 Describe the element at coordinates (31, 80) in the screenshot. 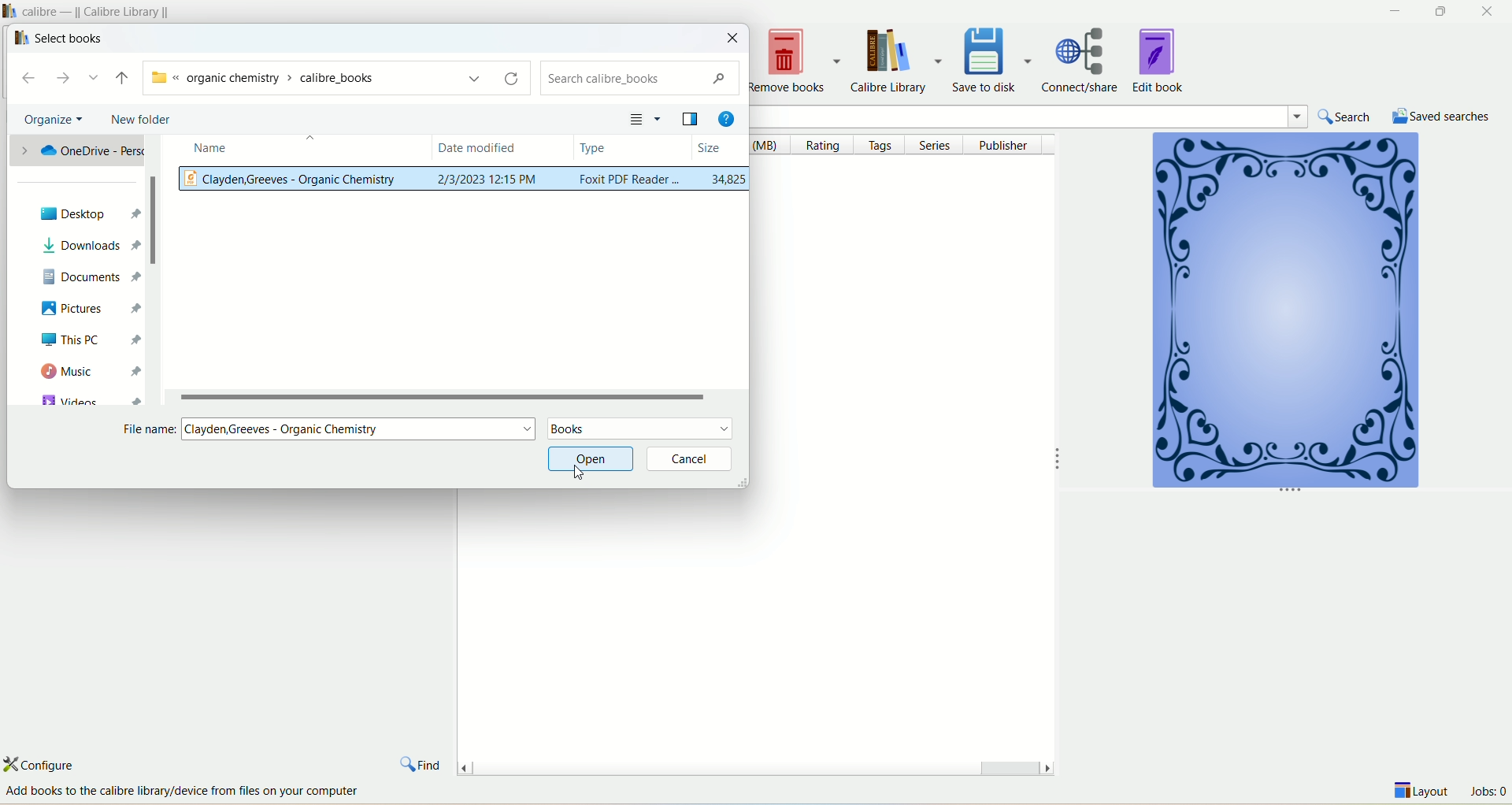

I see `back` at that location.